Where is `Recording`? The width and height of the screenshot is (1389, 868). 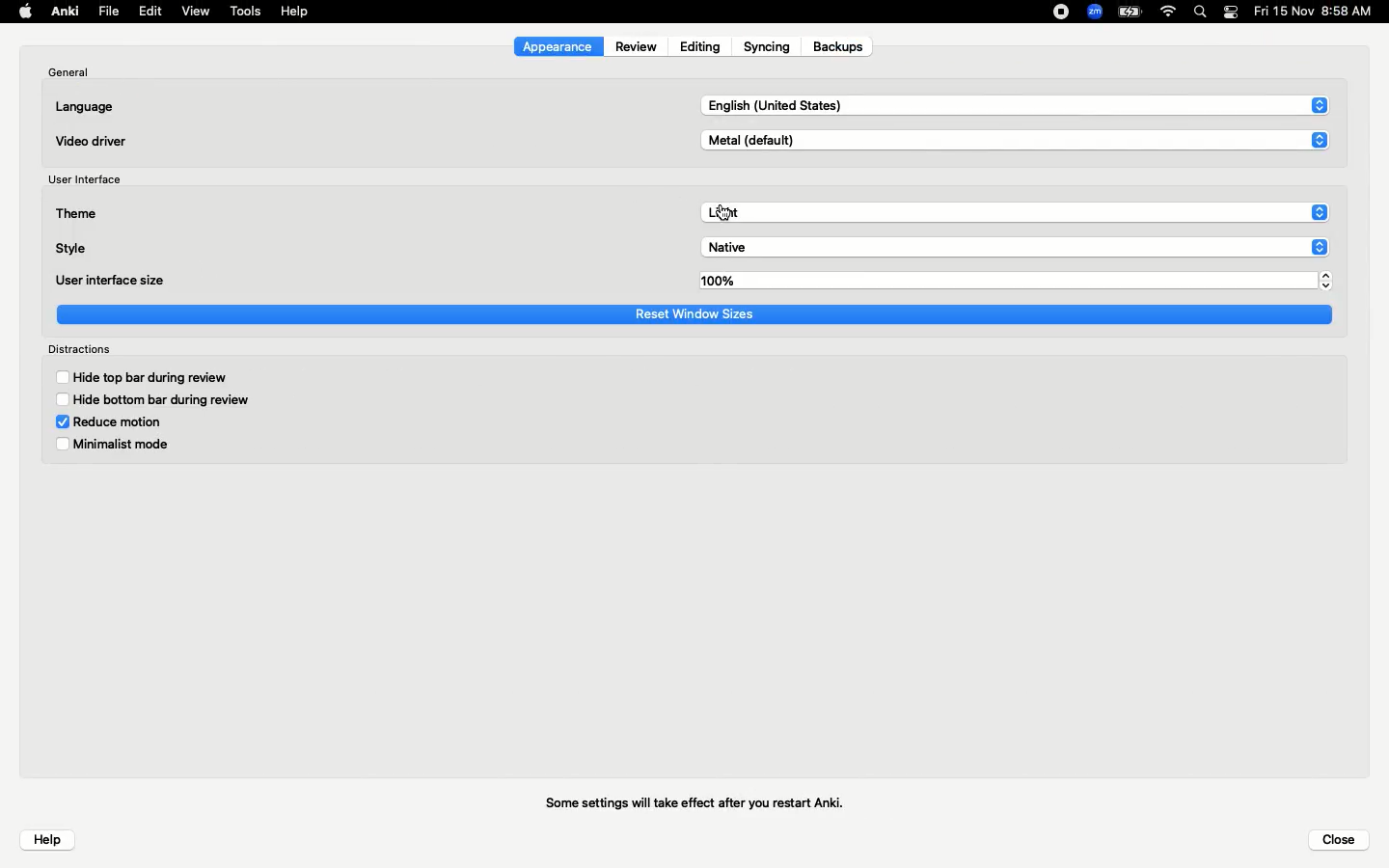 Recording is located at coordinates (1063, 12).